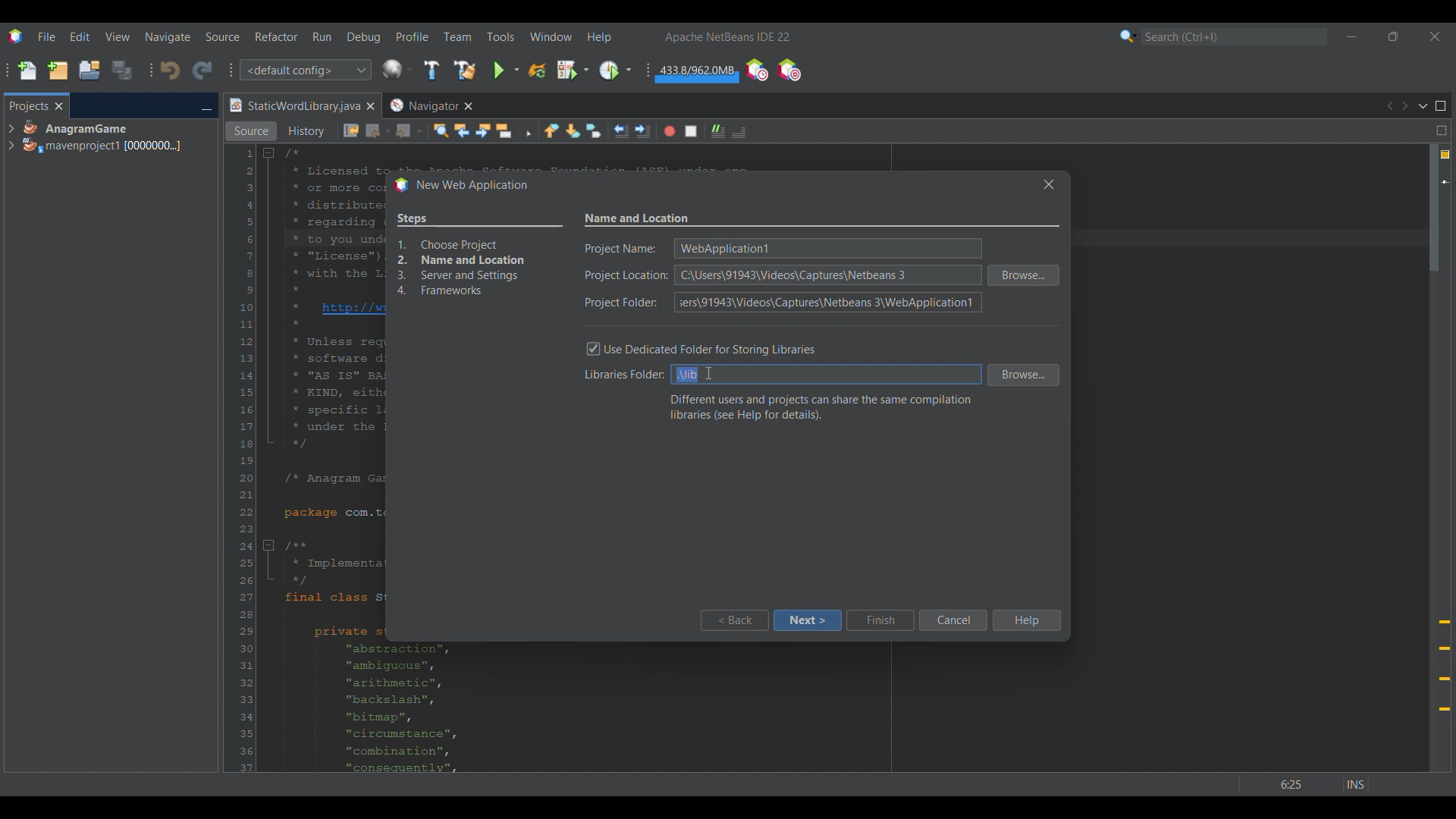  Describe the element at coordinates (1024, 325) in the screenshot. I see `Browse folder for respective detail` at that location.